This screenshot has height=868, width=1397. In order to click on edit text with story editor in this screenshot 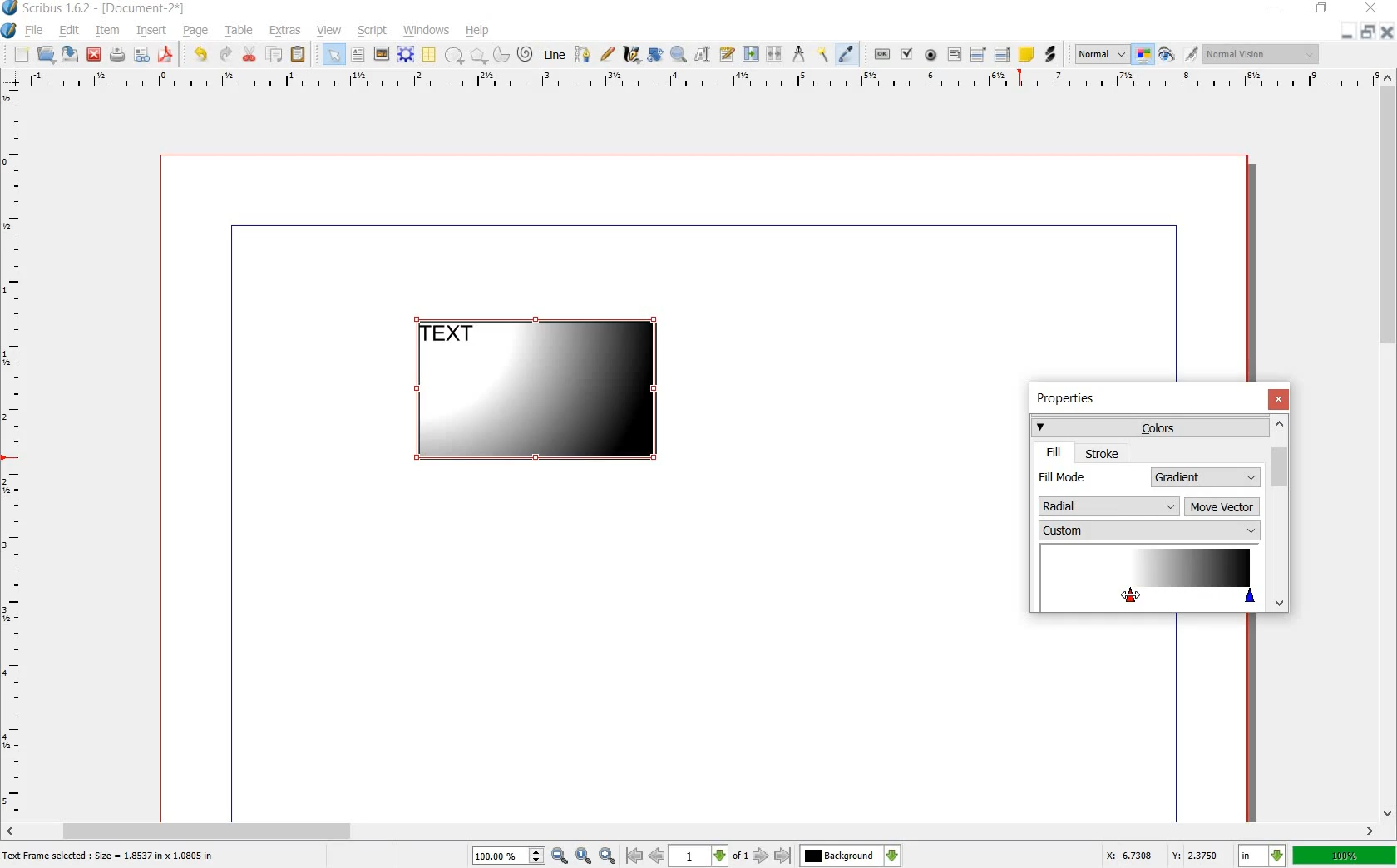, I will do `click(726, 54)`.